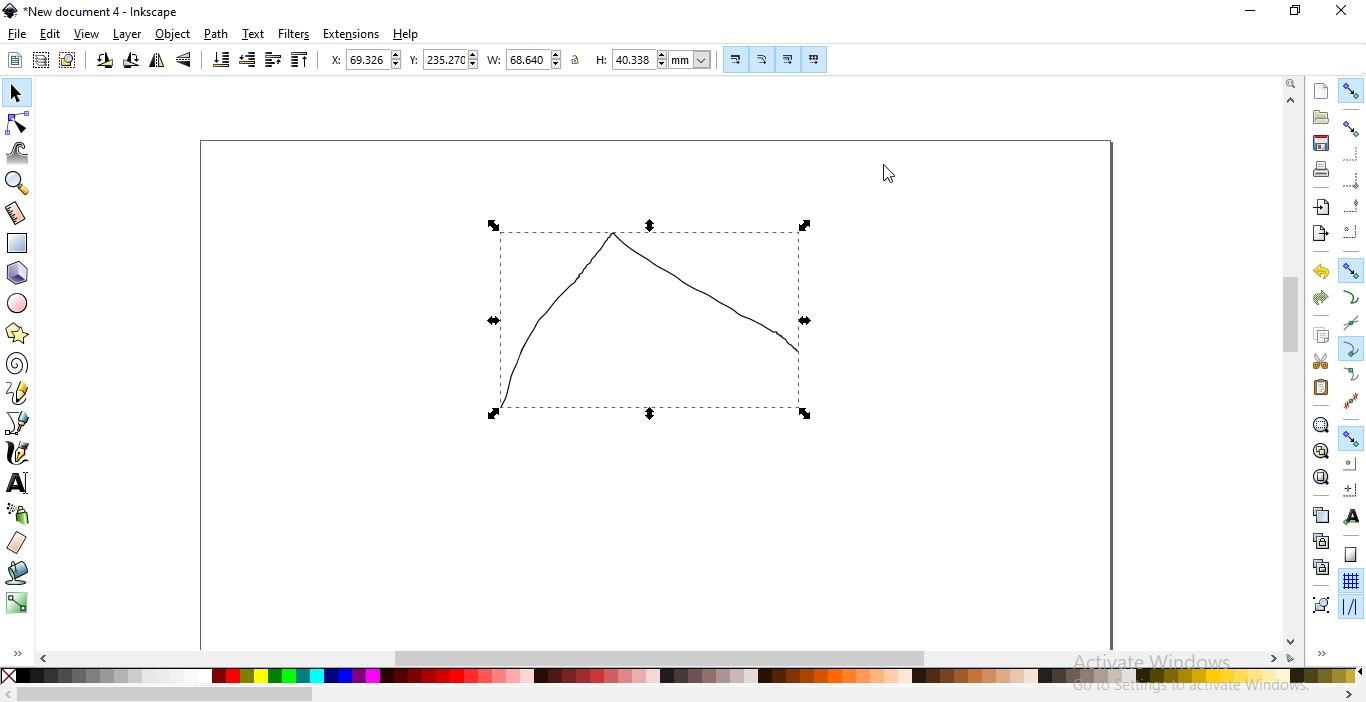 The image size is (1366, 702). What do you see at coordinates (18, 423) in the screenshot?
I see `draw bezier lines and straight lines` at bounding box center [18, 423].